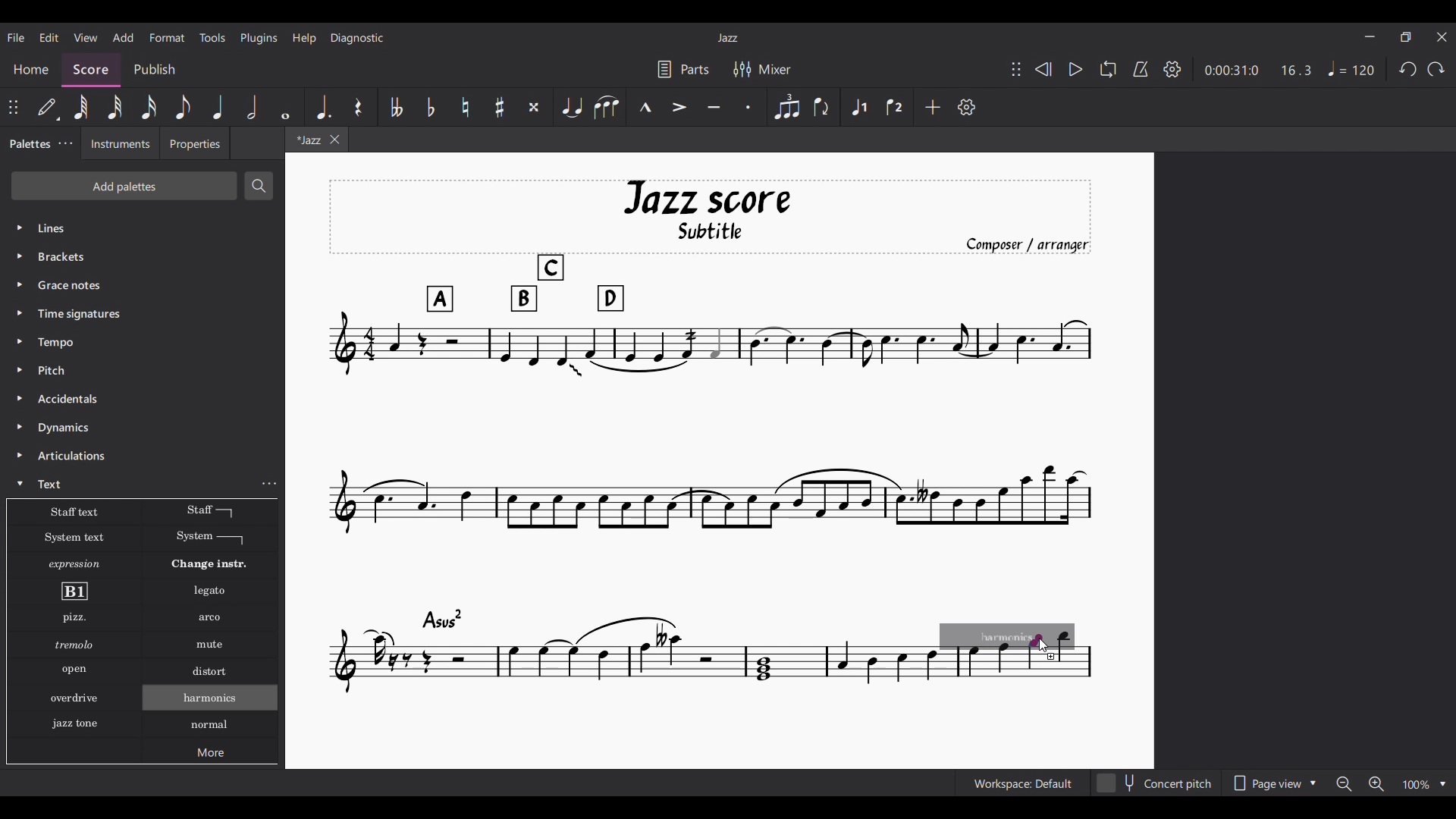 This screenshot has height=819, width=1456. I want to click on Default, so click(48, 108).